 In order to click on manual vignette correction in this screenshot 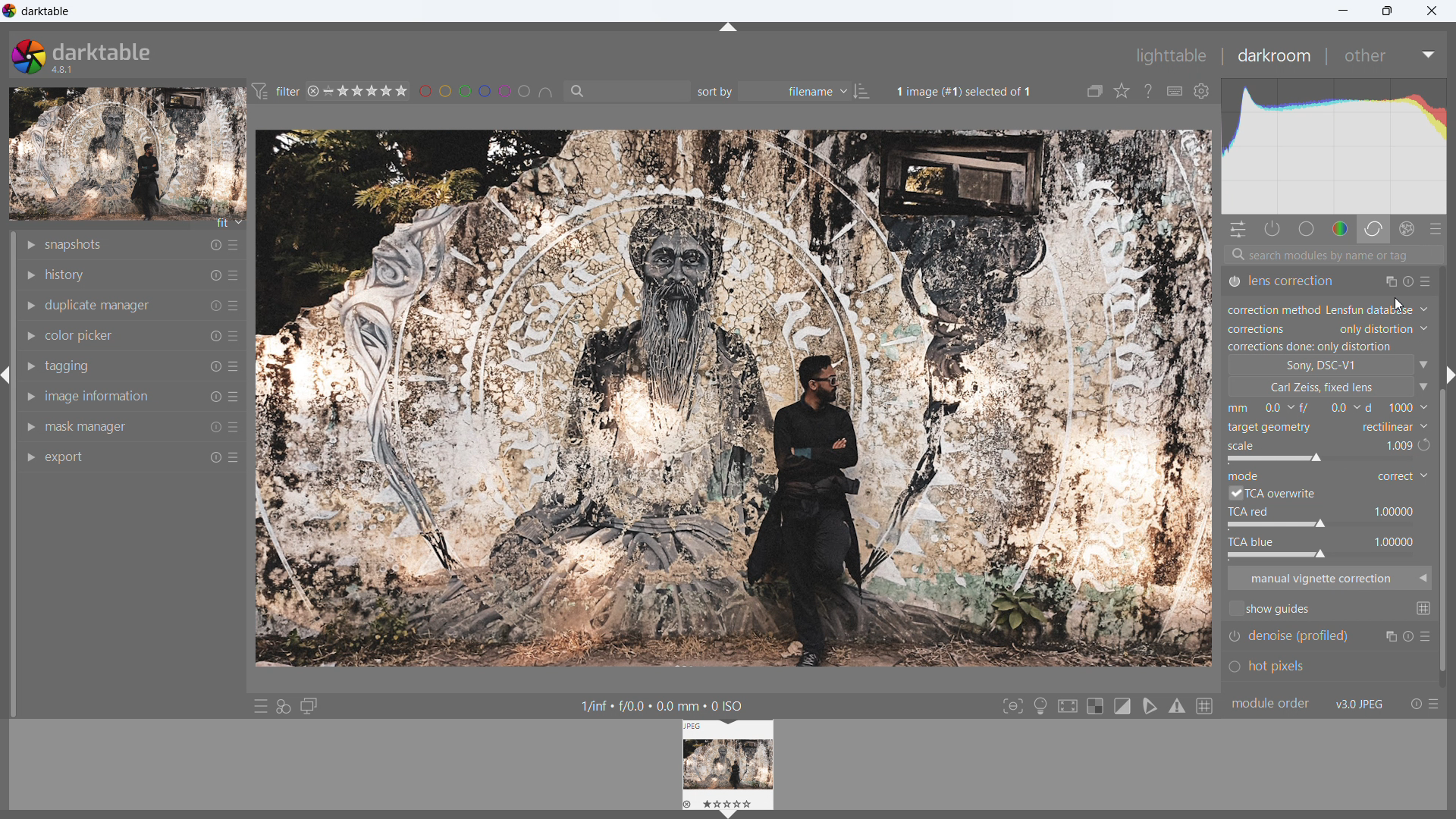, I will do `click(1329, 579)`.